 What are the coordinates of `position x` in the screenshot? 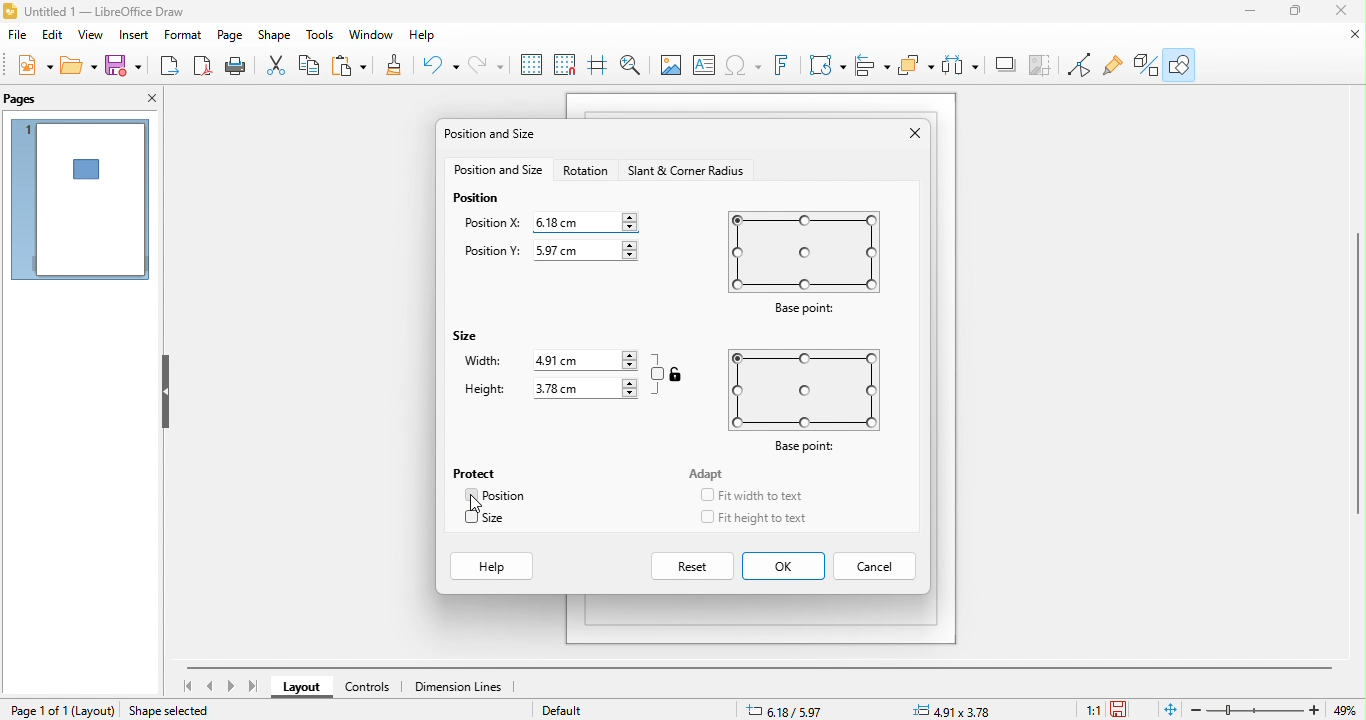 It's located at (491, 221).